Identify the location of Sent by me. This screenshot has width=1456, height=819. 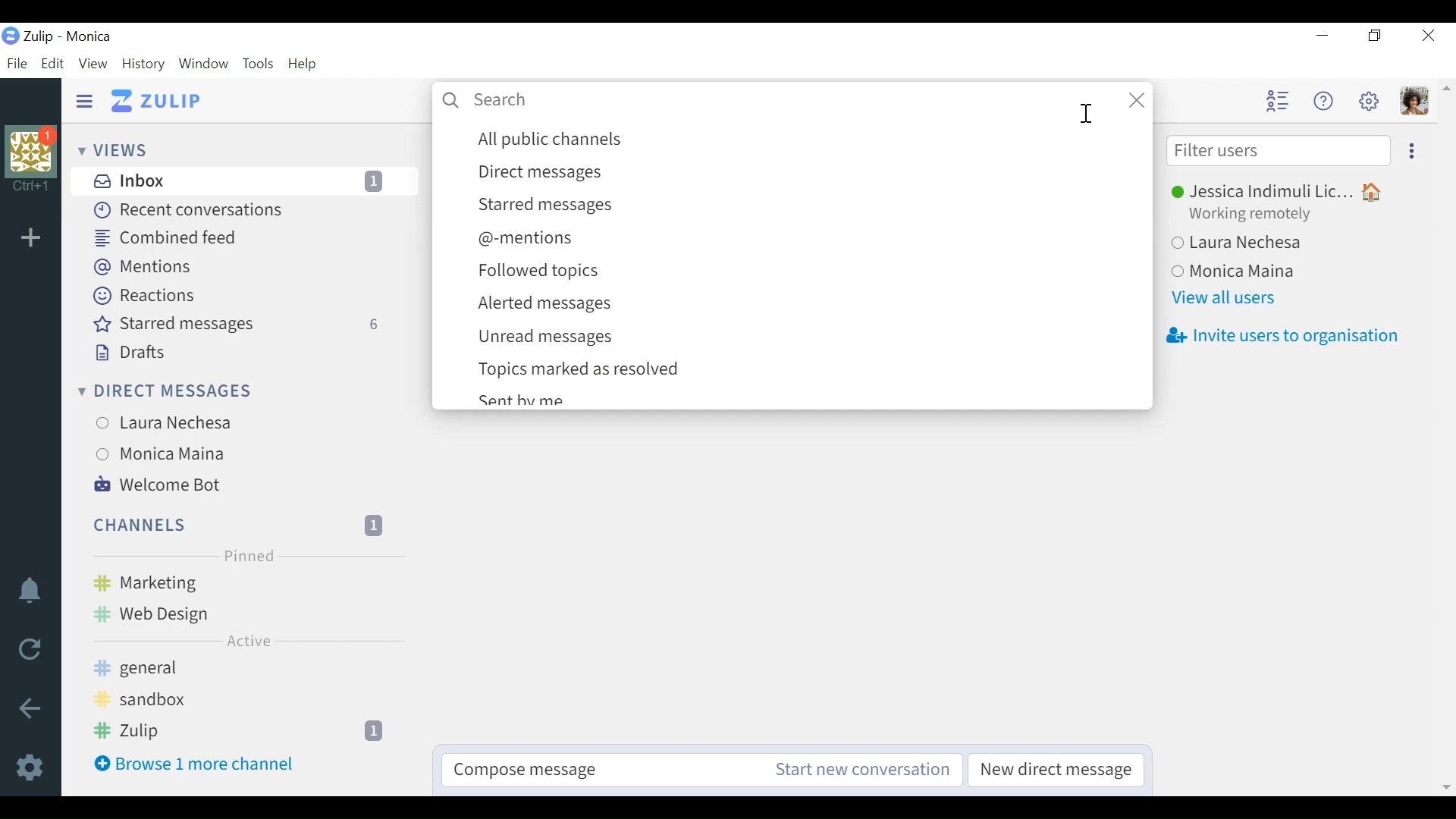
(796, 397).